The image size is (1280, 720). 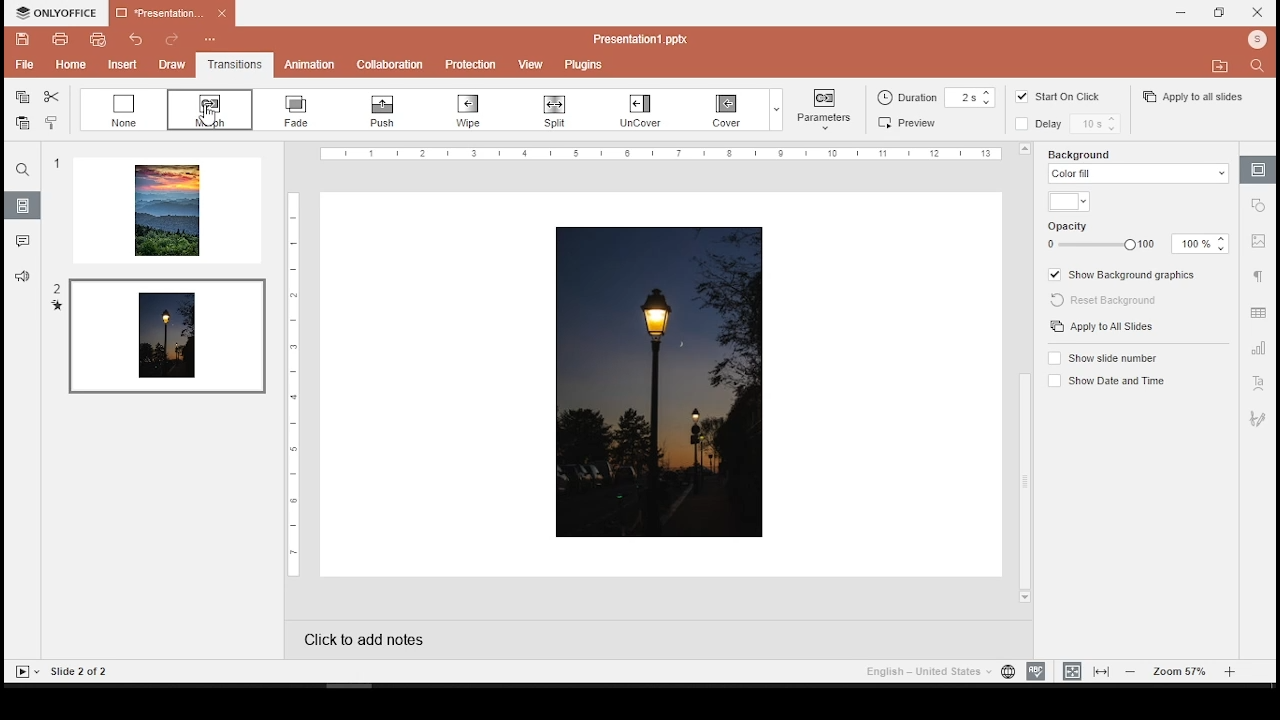 What do you see at coordinates (288, 384) in the screenshot?
I see `ruler` at bounding box center [288, 384].